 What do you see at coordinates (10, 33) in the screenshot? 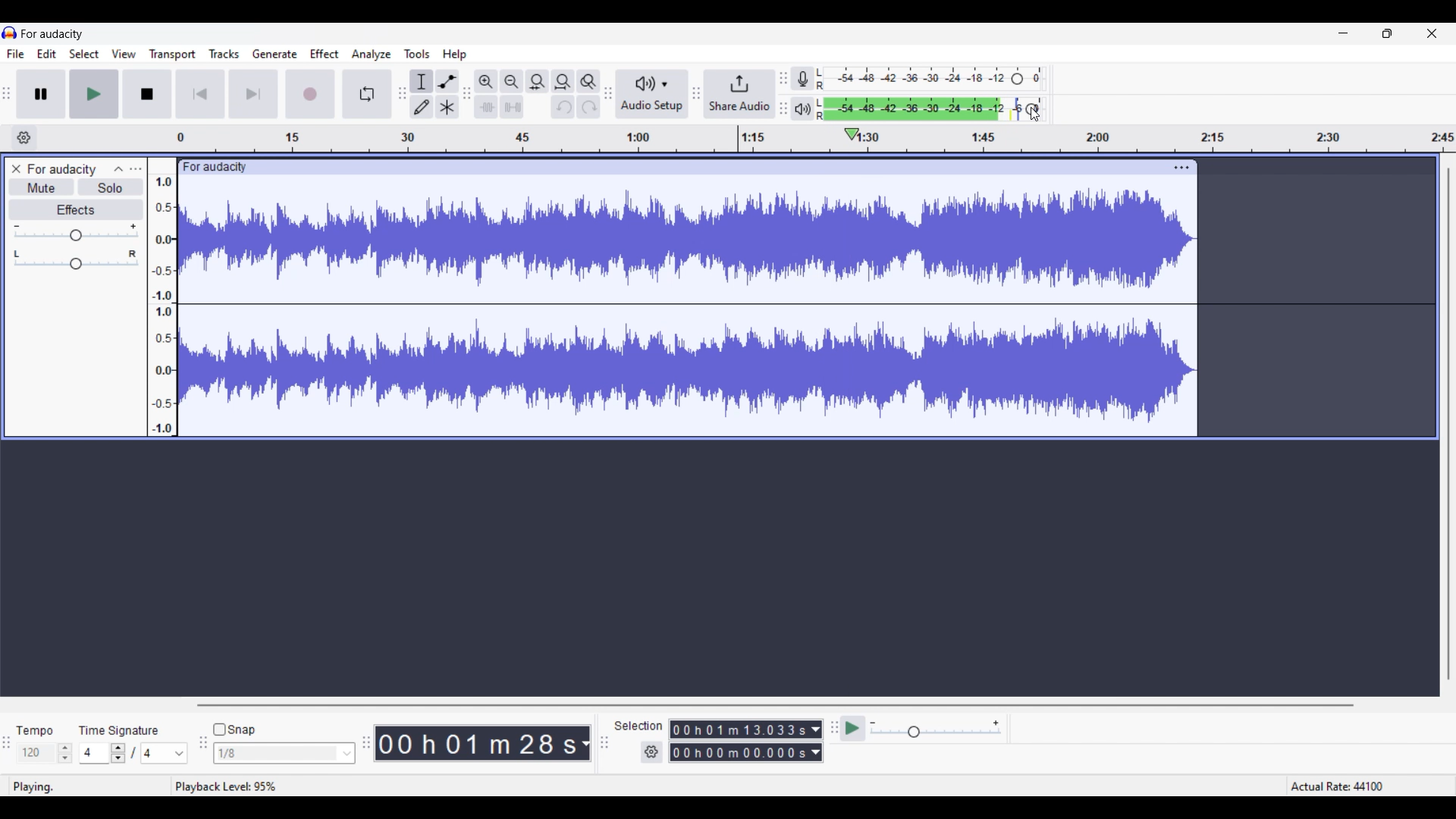
I see `Software logo` at bounding box center [10, 33].